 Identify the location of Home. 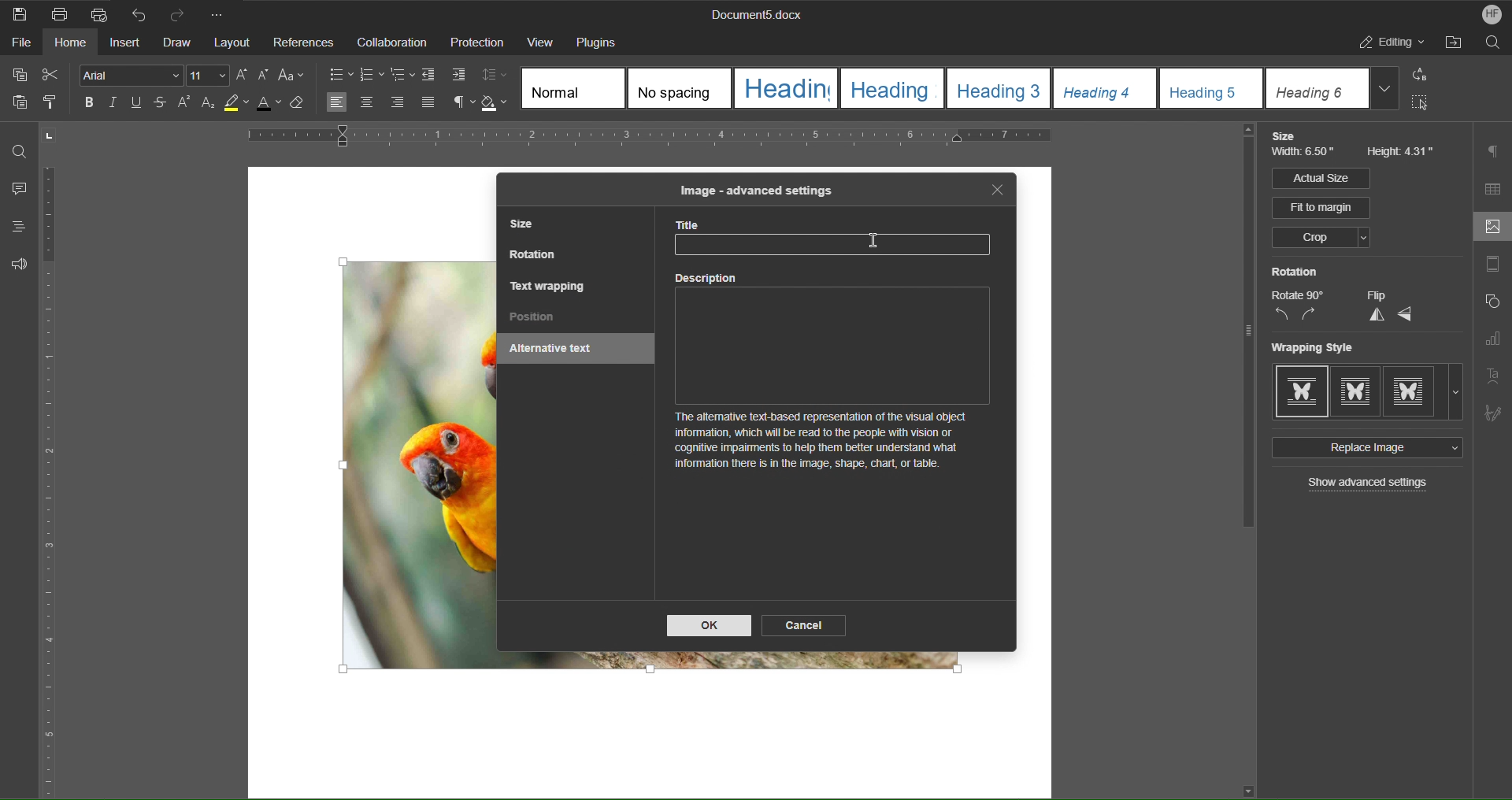
(72, 45).